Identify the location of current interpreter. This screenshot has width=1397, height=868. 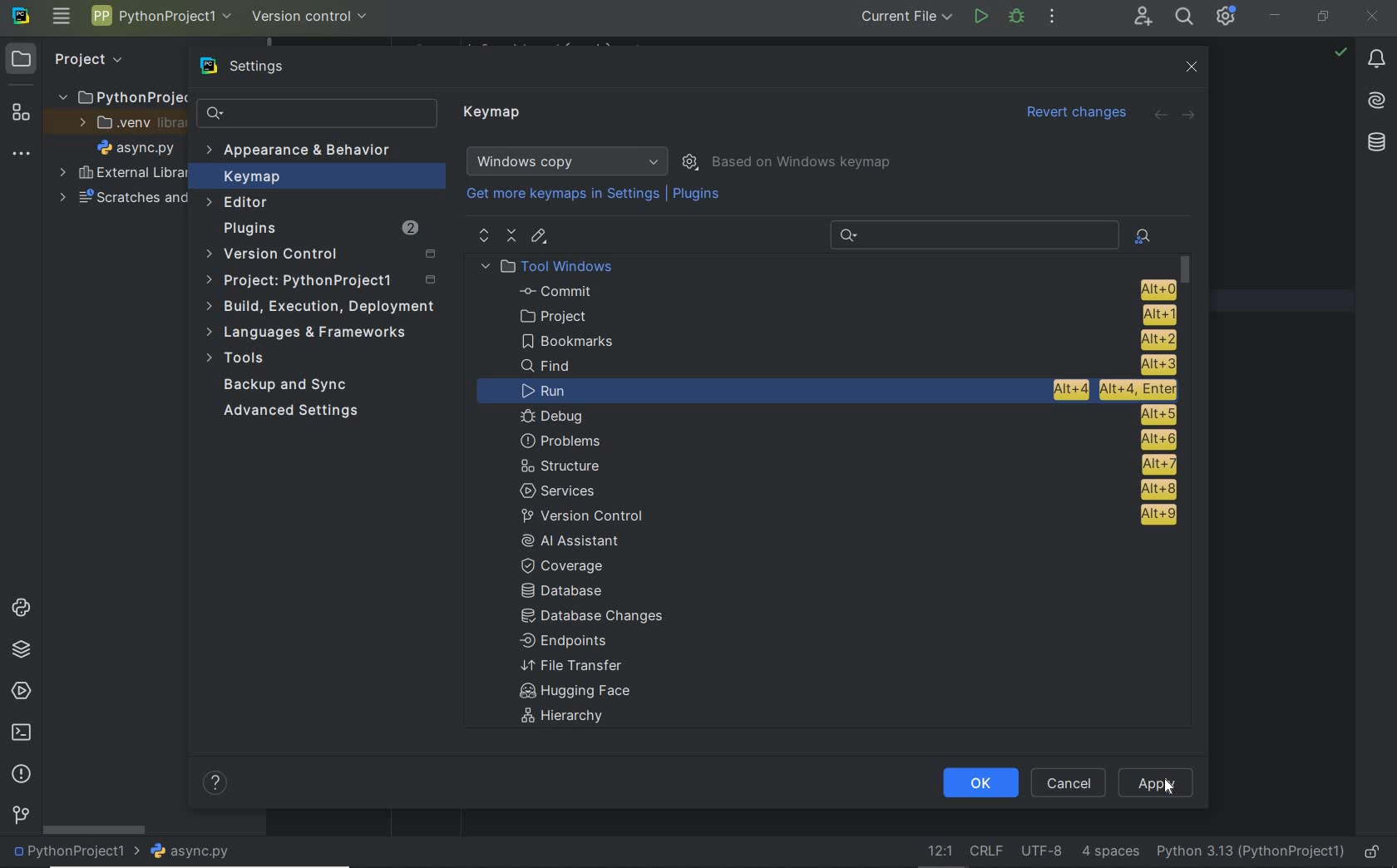
(1251, 853).